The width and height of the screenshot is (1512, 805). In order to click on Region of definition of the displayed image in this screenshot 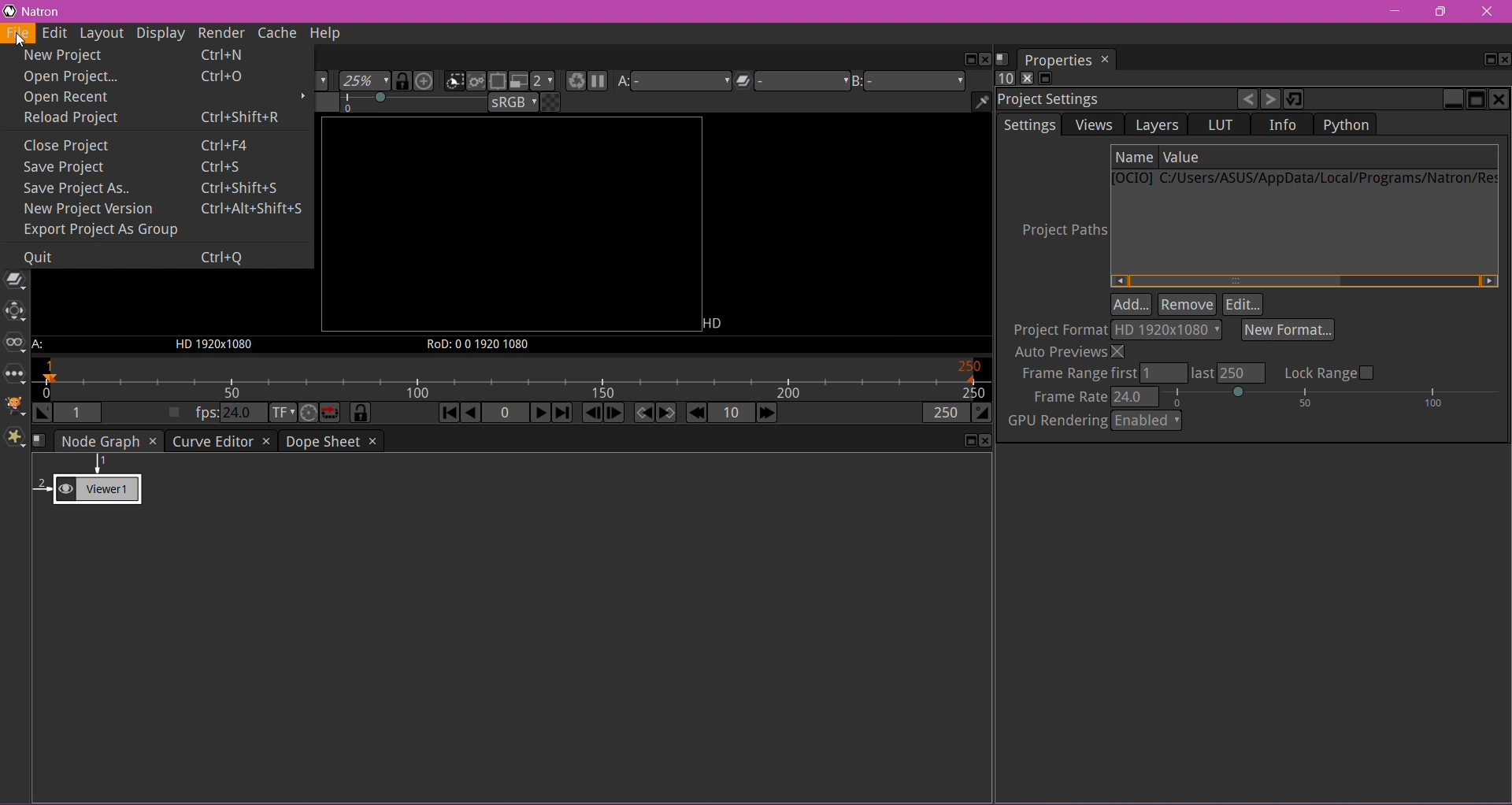, I will do `click(477, 344)`.